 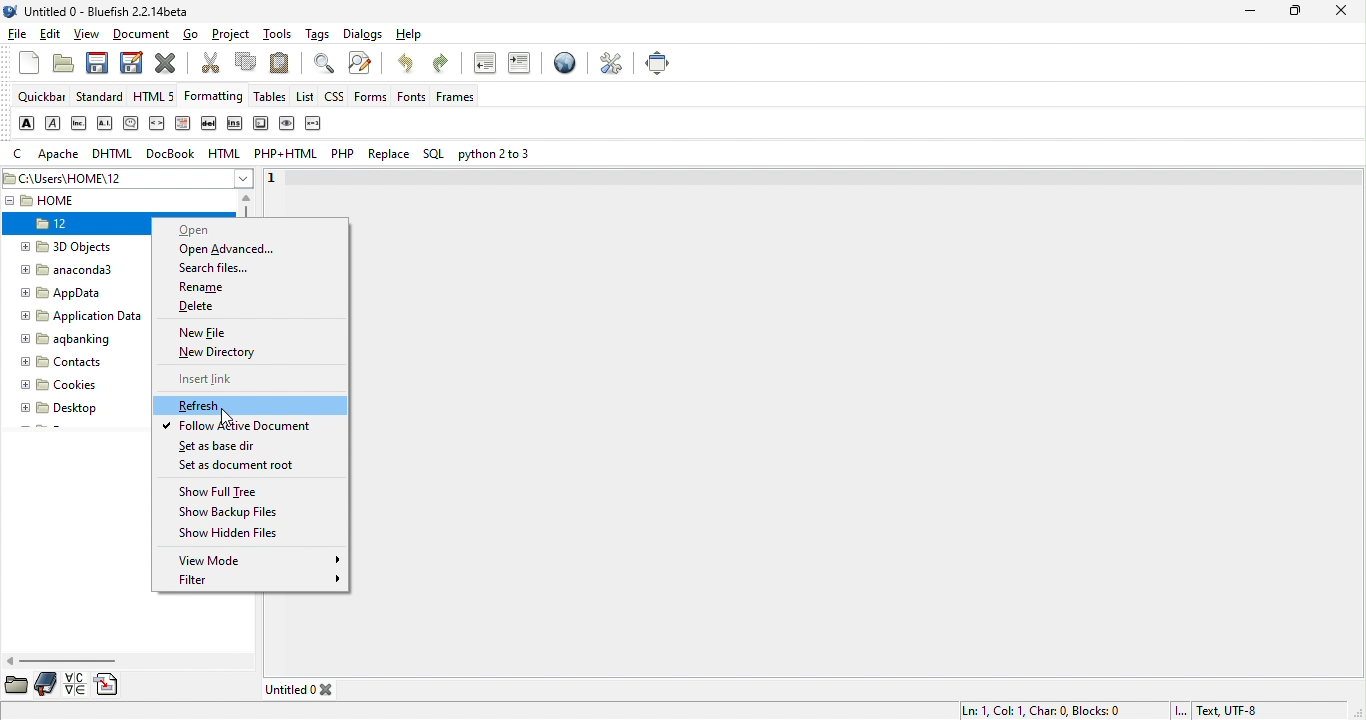 What do you see at coordinates (284, 63) in the screenshot?
I see `paste` at bounding box center [284, 63].